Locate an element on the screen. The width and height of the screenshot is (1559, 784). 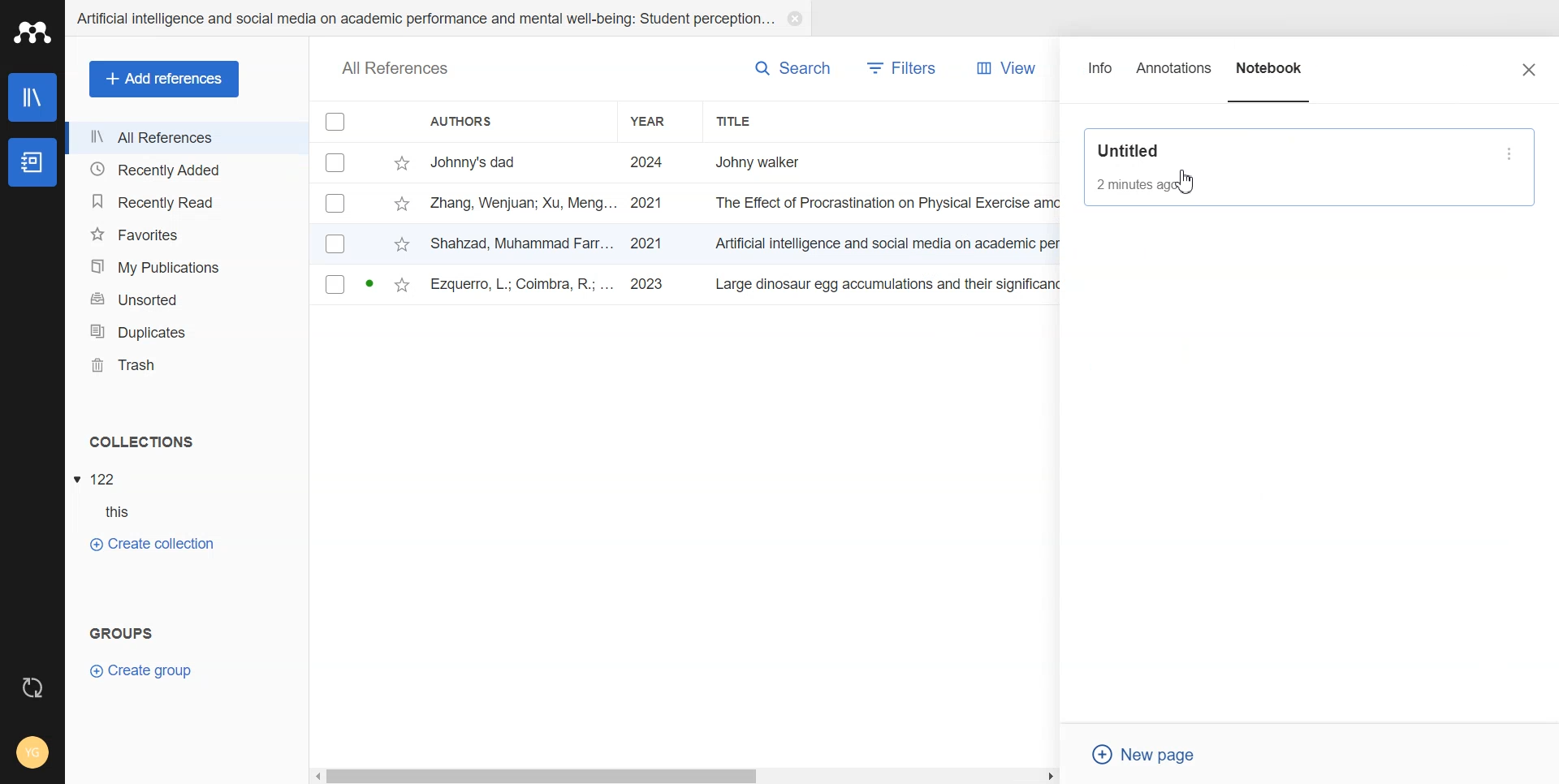
the effect of procrastination on physical exercise amo is located at coordinates (889, 203).